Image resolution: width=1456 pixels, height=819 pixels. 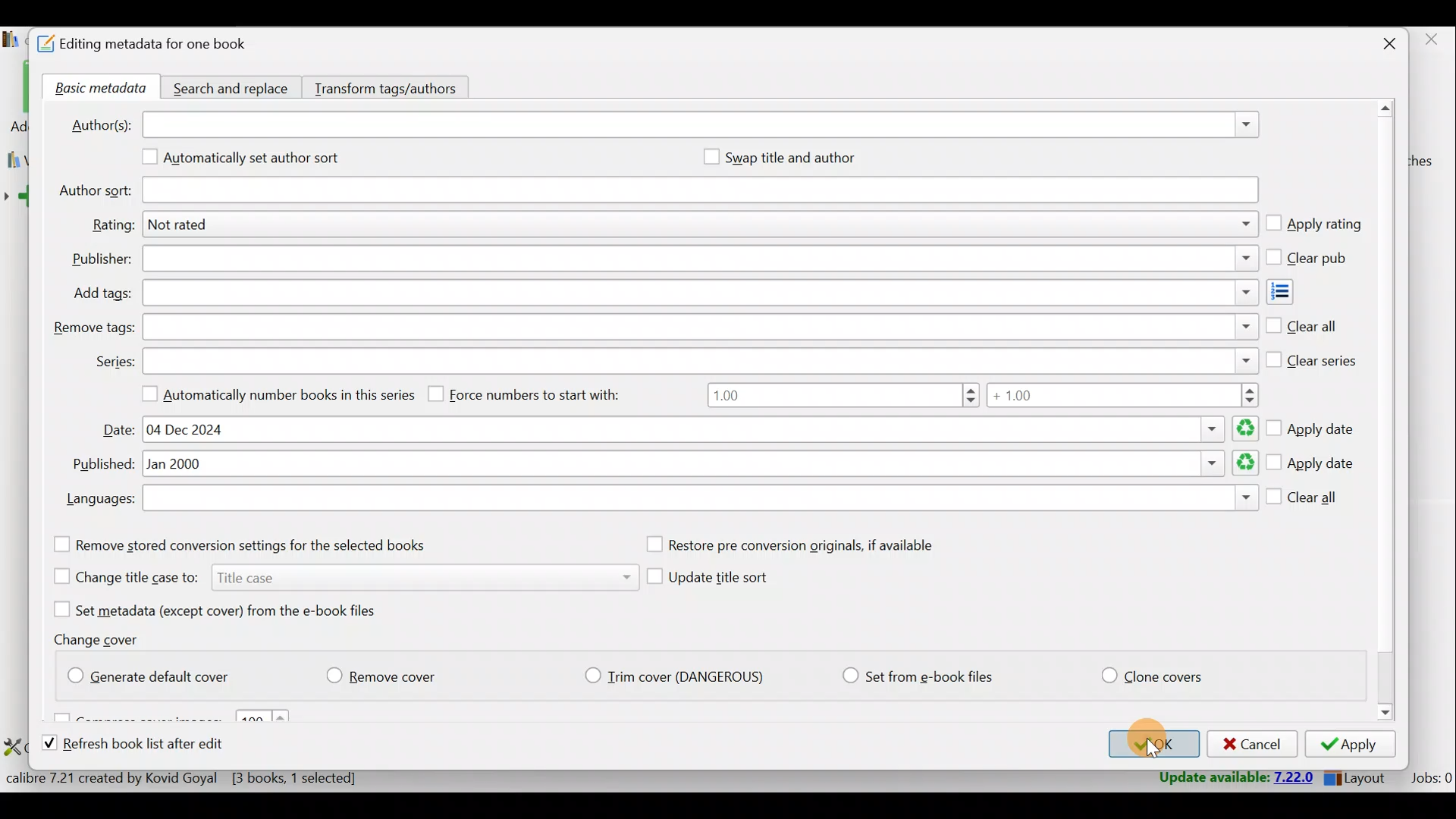 I want to click on Change cover, so click(x=102, y=639).